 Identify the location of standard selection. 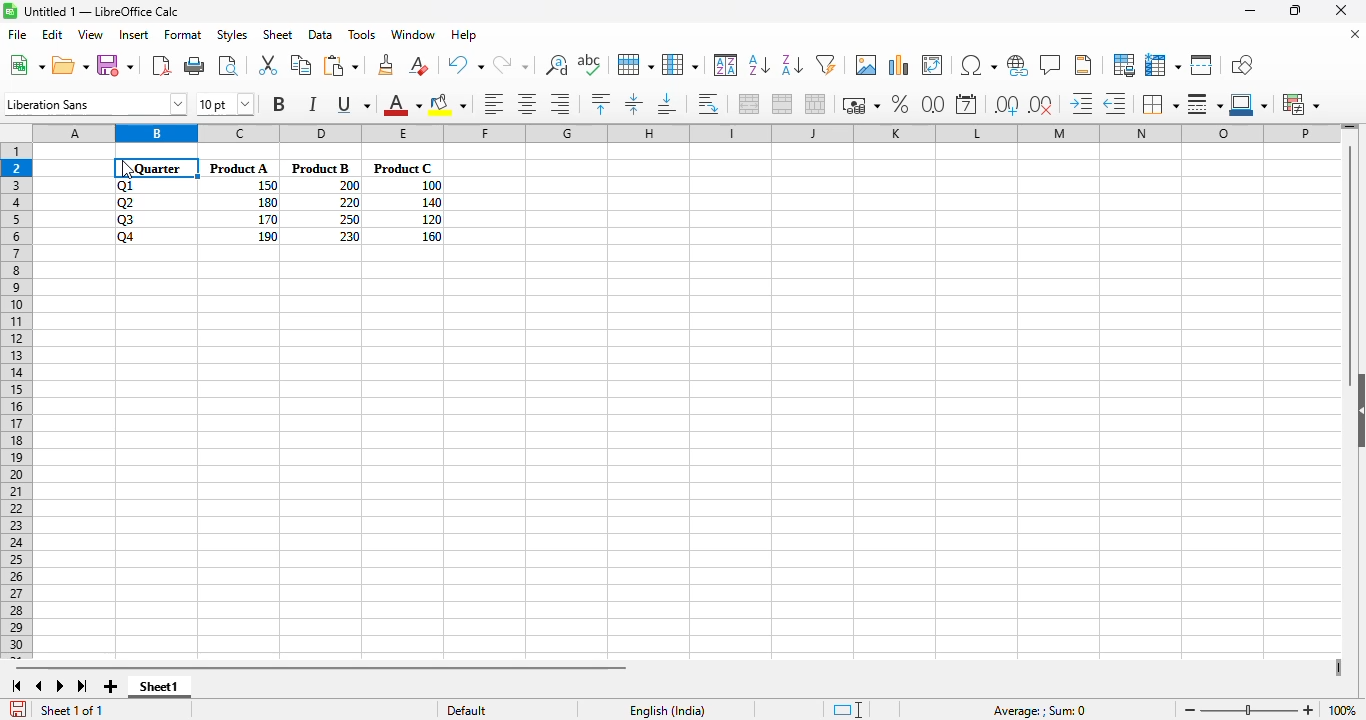
(847, 710).